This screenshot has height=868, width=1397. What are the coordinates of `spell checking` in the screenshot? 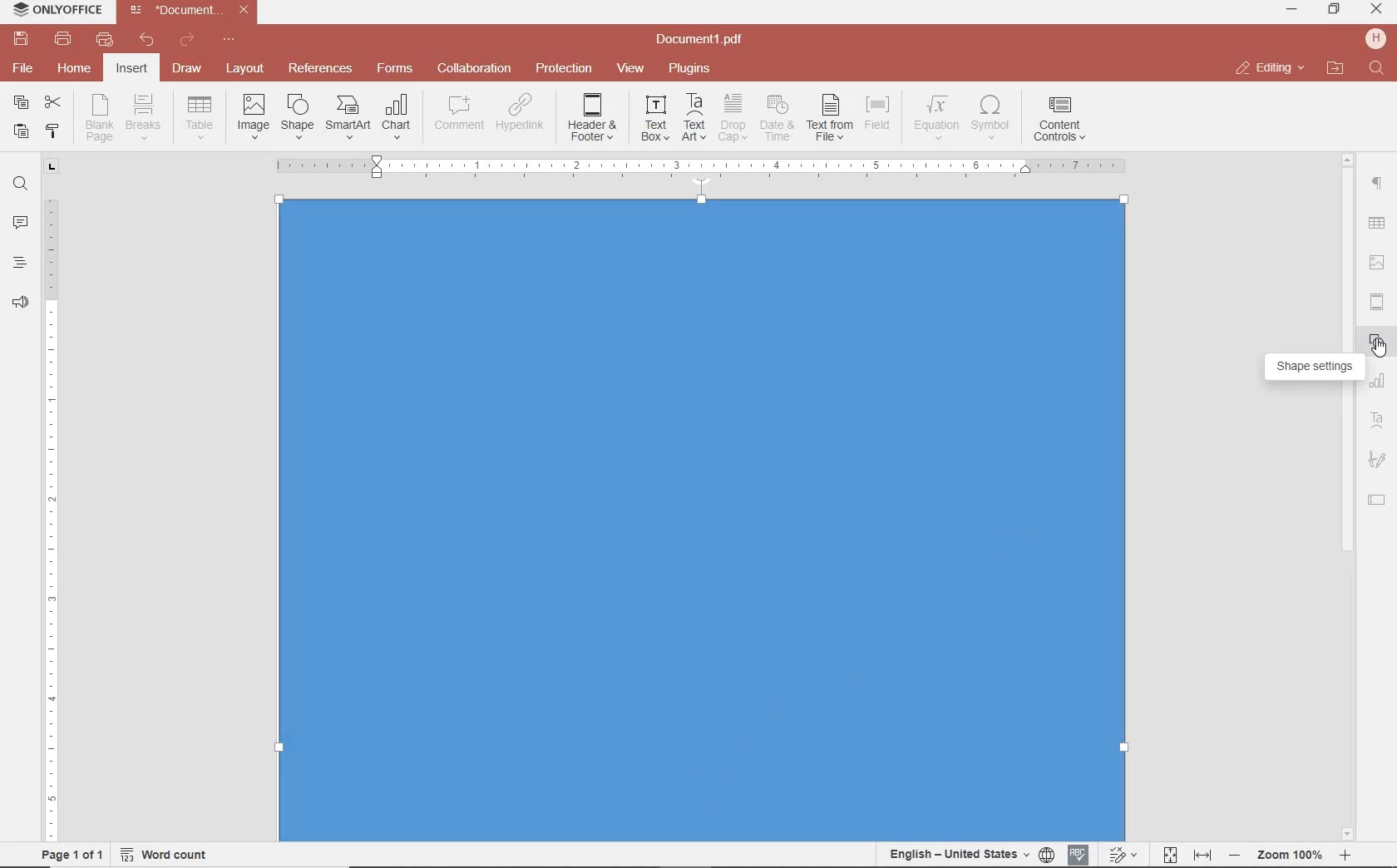 It's located at (1079, 855).